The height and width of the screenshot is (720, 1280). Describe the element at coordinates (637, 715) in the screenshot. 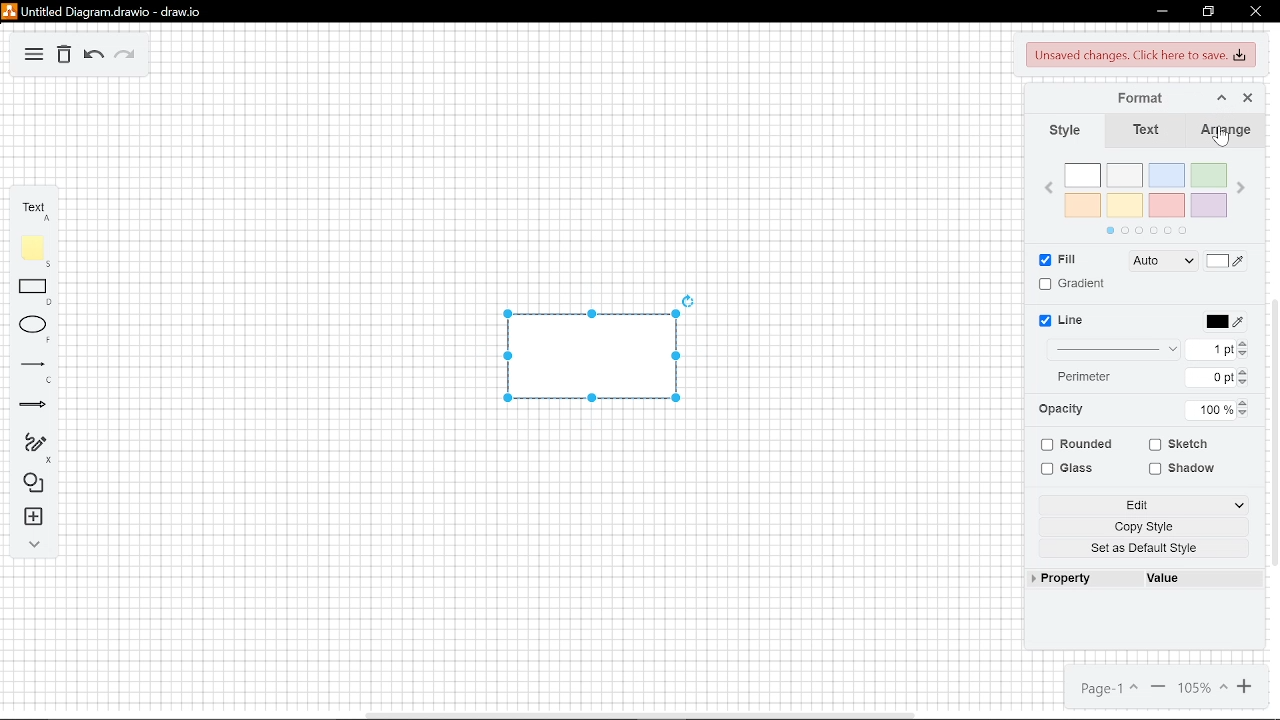

I see `horizontal scrollbar` at that location.